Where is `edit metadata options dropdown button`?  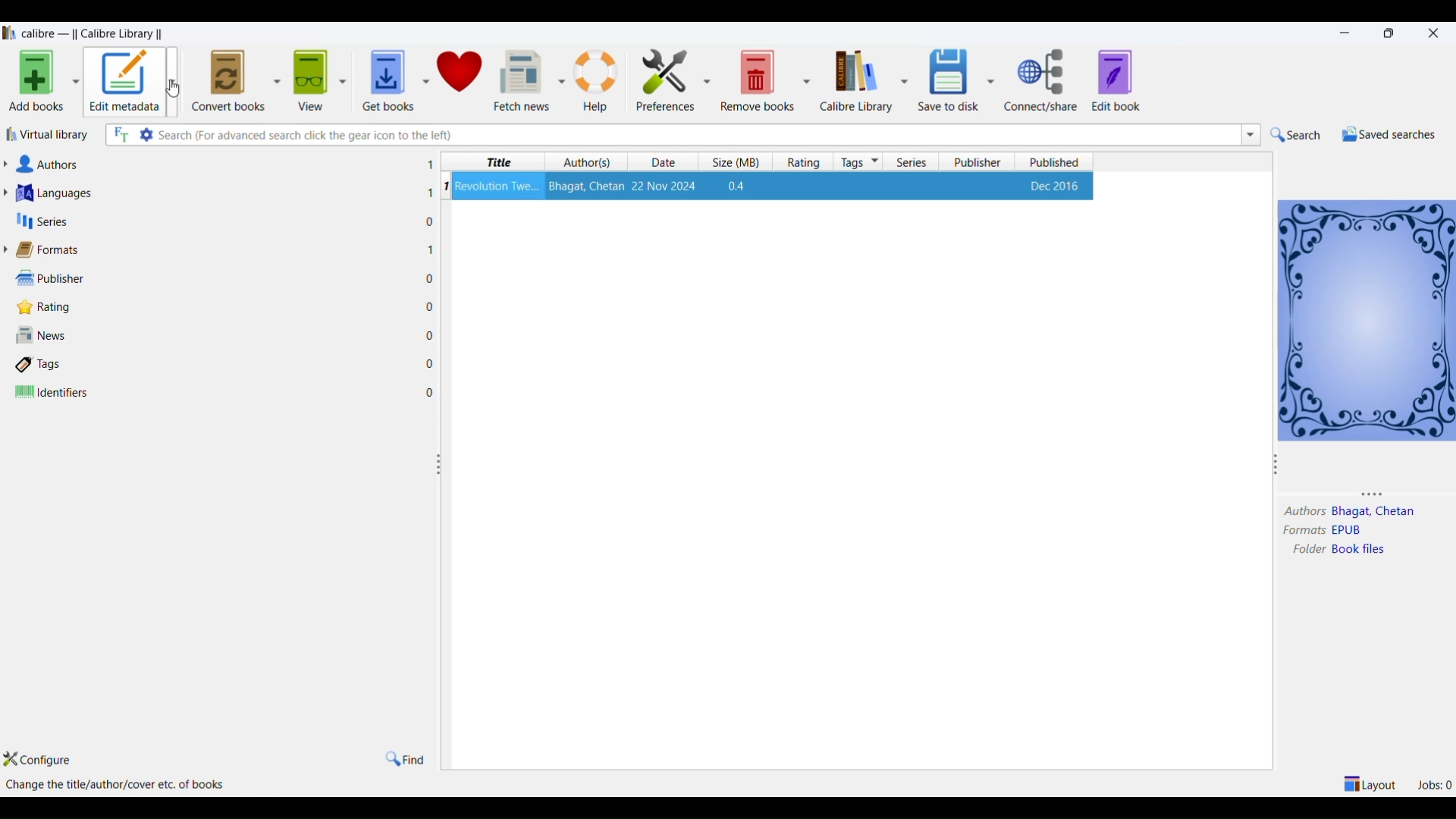
edit metadata options dropdown button is located at coordinates (177, 81).